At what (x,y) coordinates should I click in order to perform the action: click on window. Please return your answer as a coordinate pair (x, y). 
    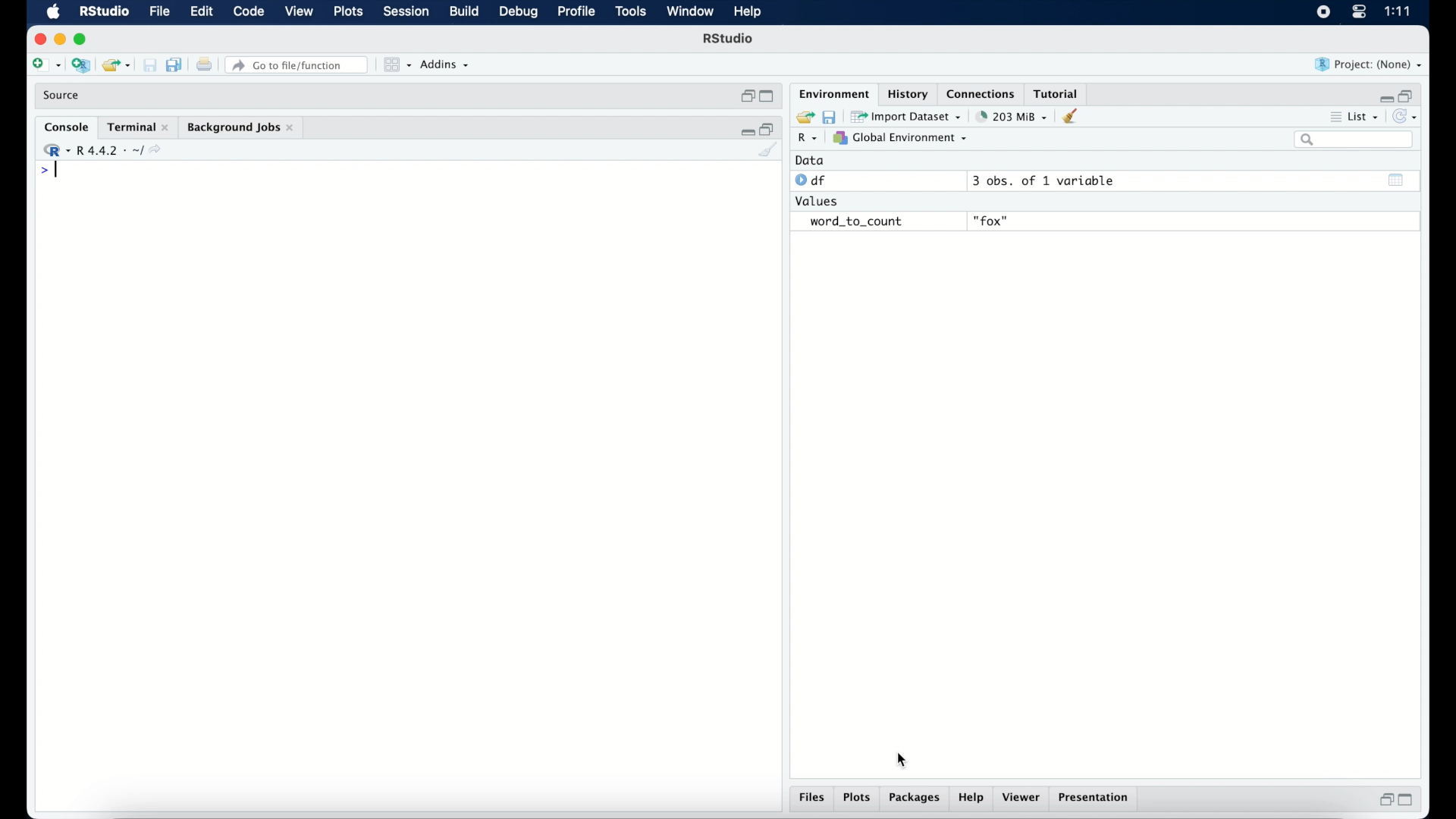
    Looking at the image, I should click on (690, 12).